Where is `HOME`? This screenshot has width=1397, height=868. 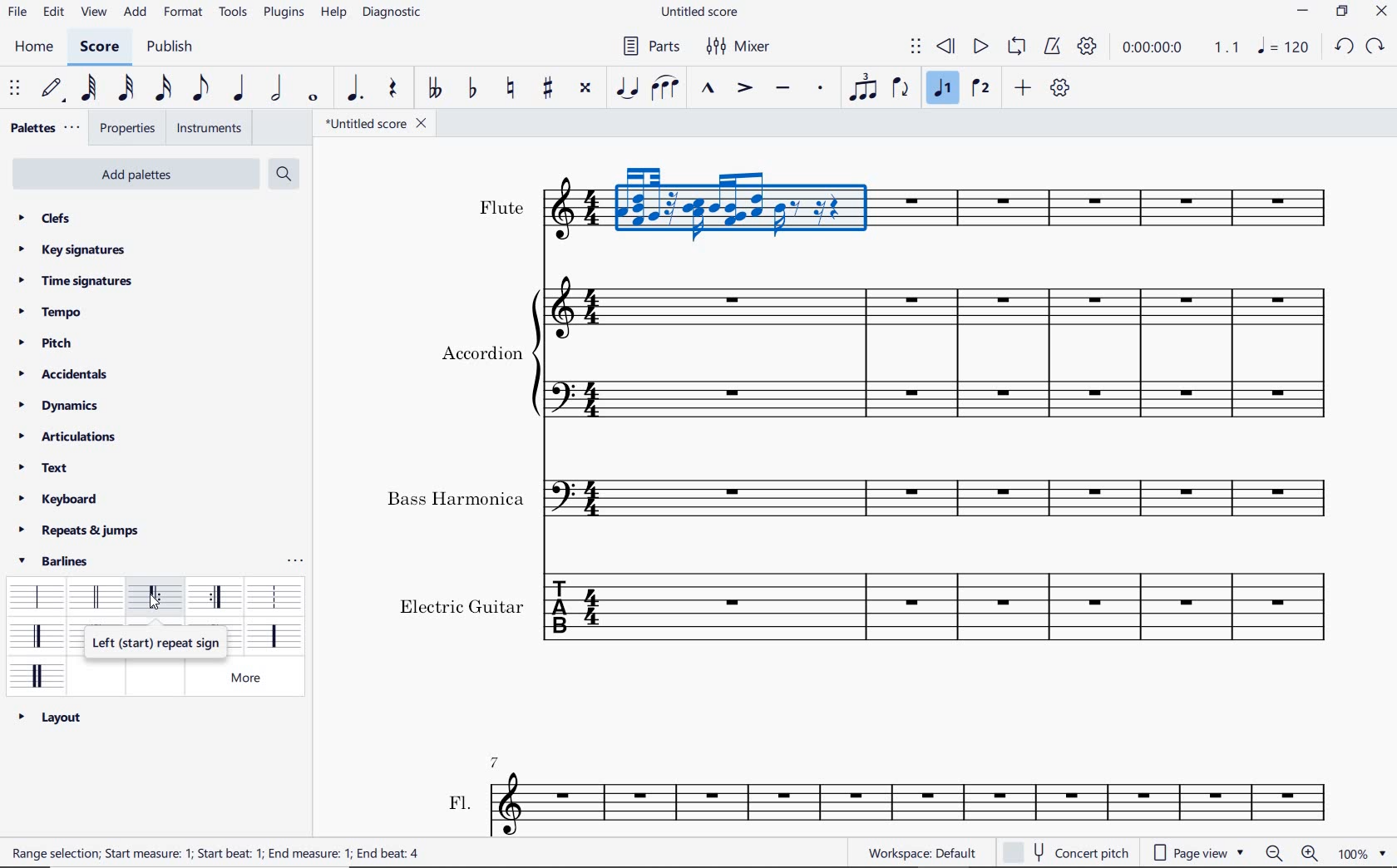
HOME is located at coordinates (35, 49).